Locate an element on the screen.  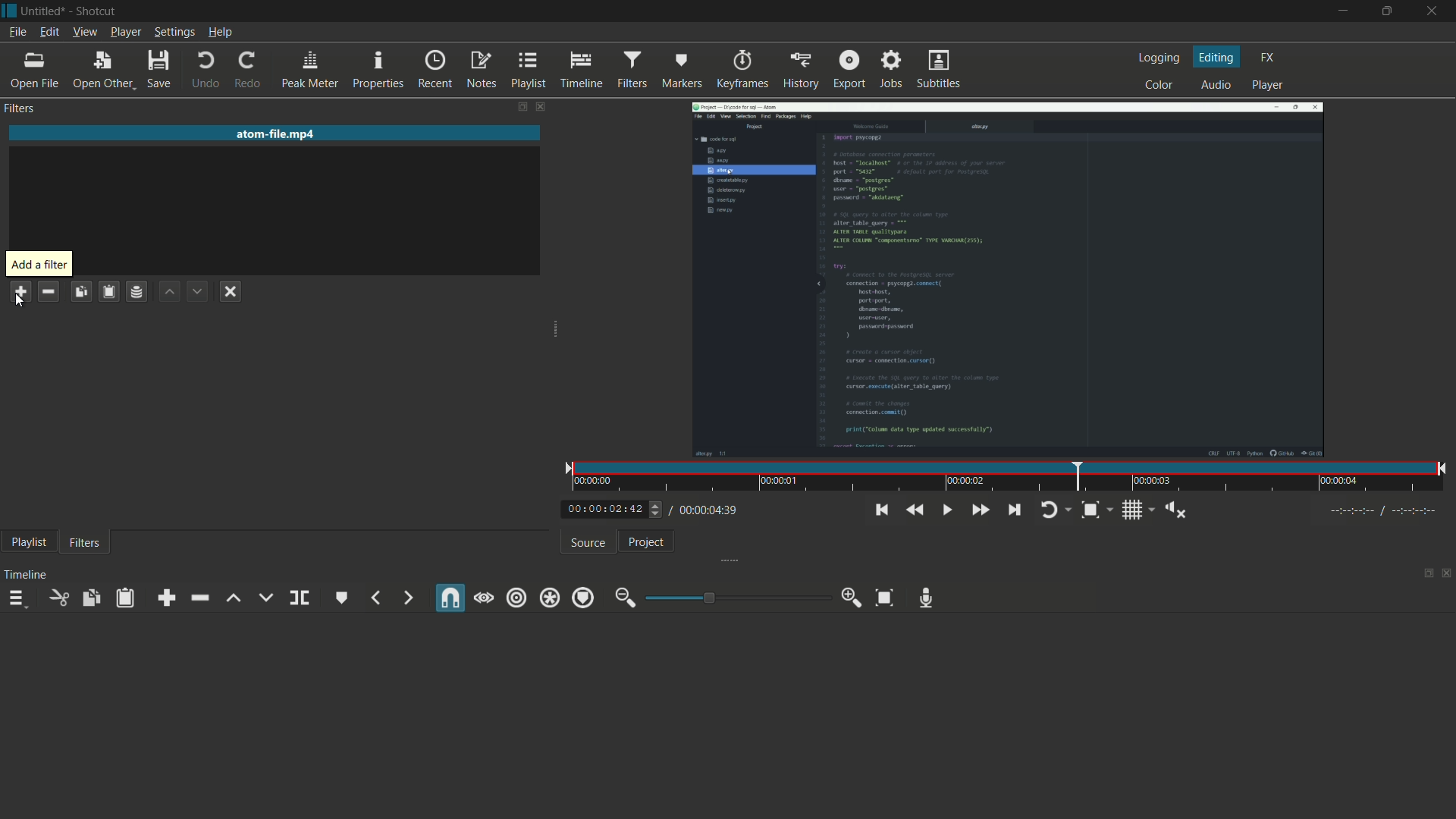
skip to the next point is located at coordinates (1013, 509).